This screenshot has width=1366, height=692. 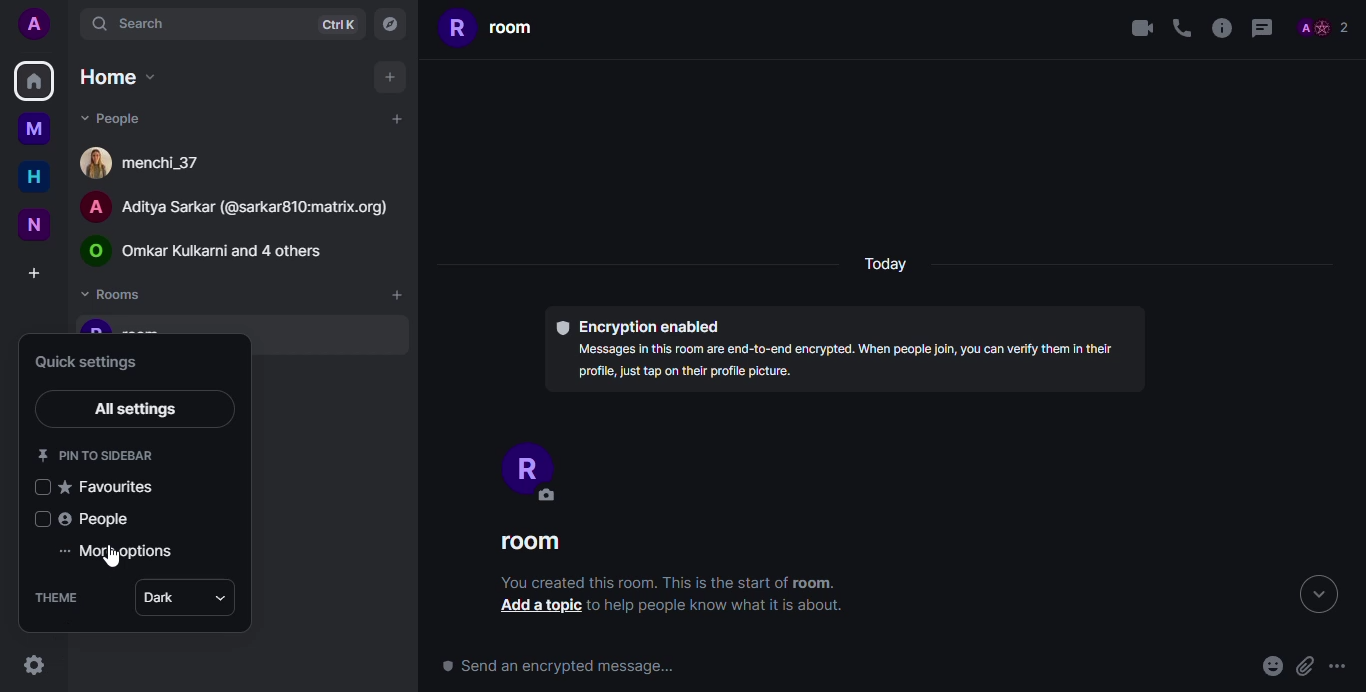 I want to click on cursor, so click(x=113, y=561).